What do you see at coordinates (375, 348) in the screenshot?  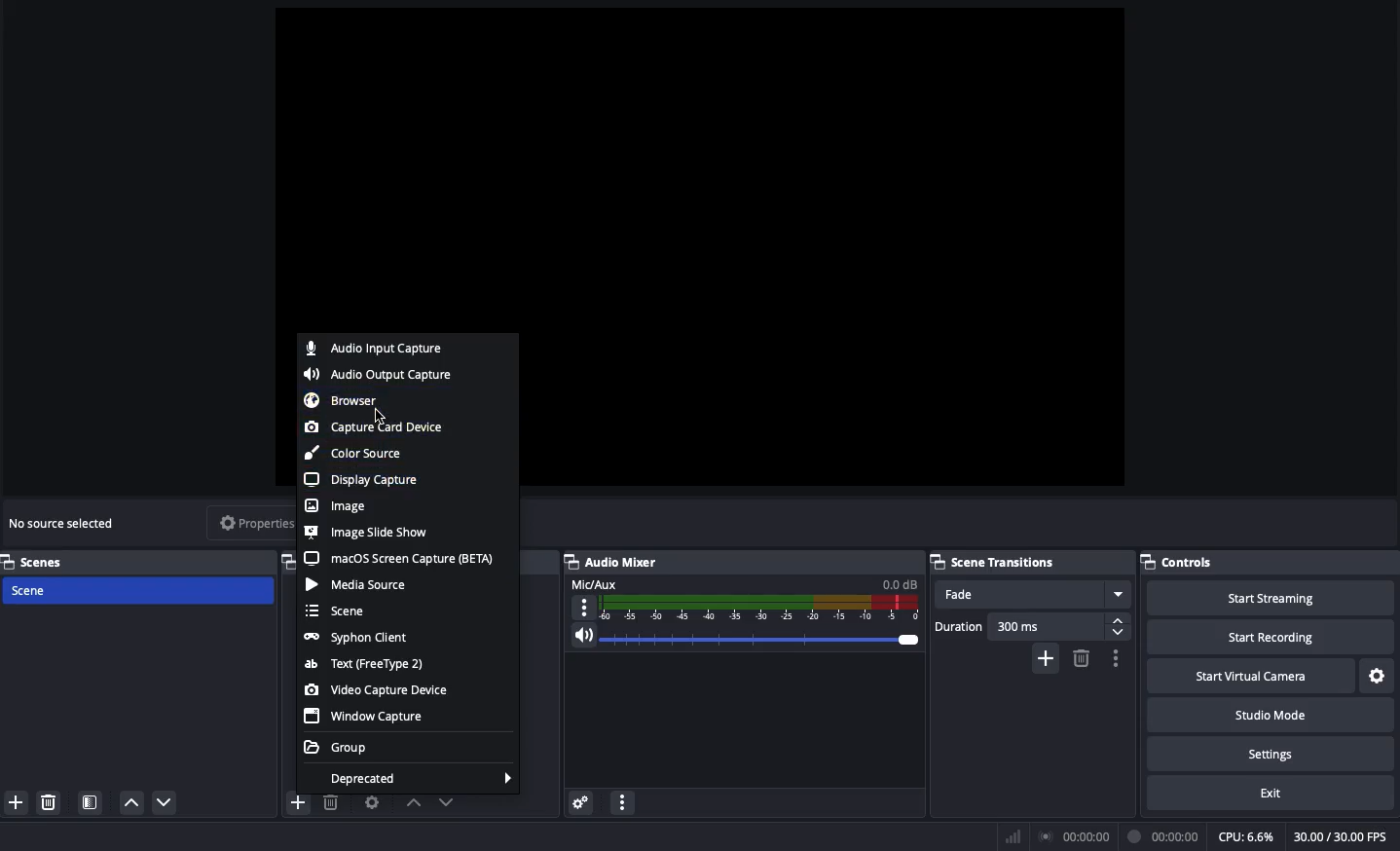 I see `Audio input capture` at bounding box center [375, 348].